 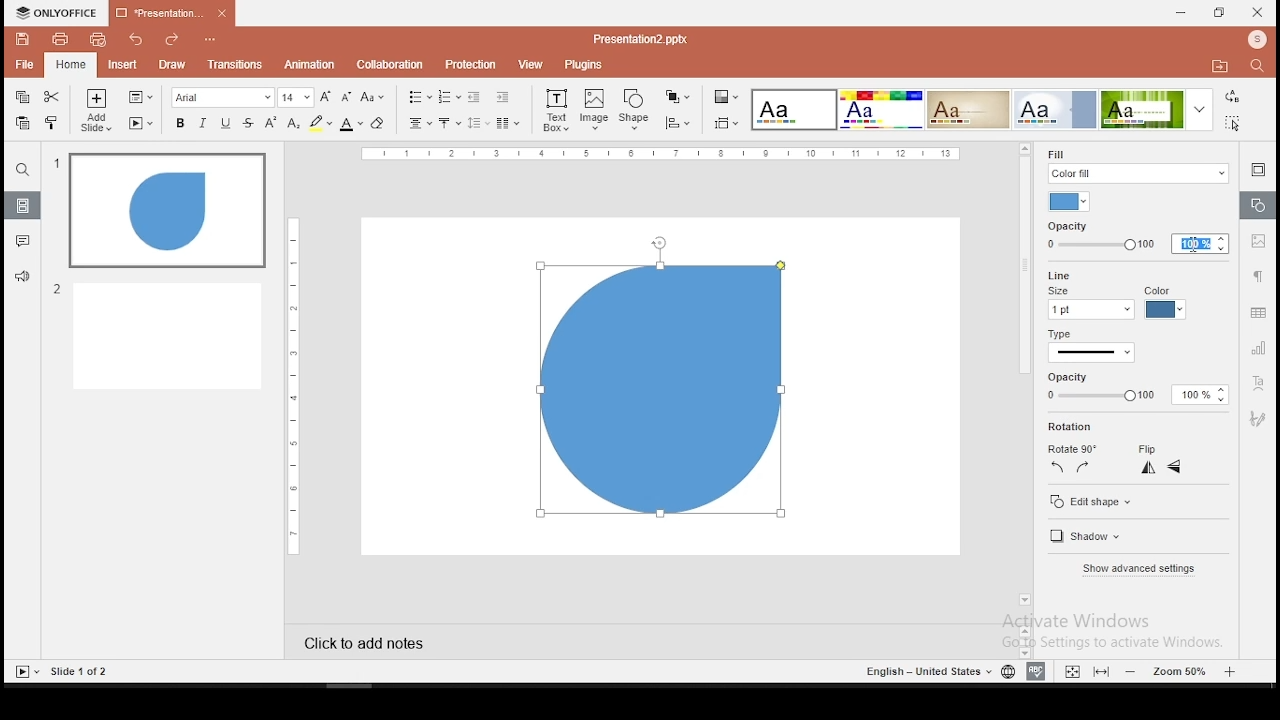 I want to click on slide 1 of 2, so click(x=82, y=672).